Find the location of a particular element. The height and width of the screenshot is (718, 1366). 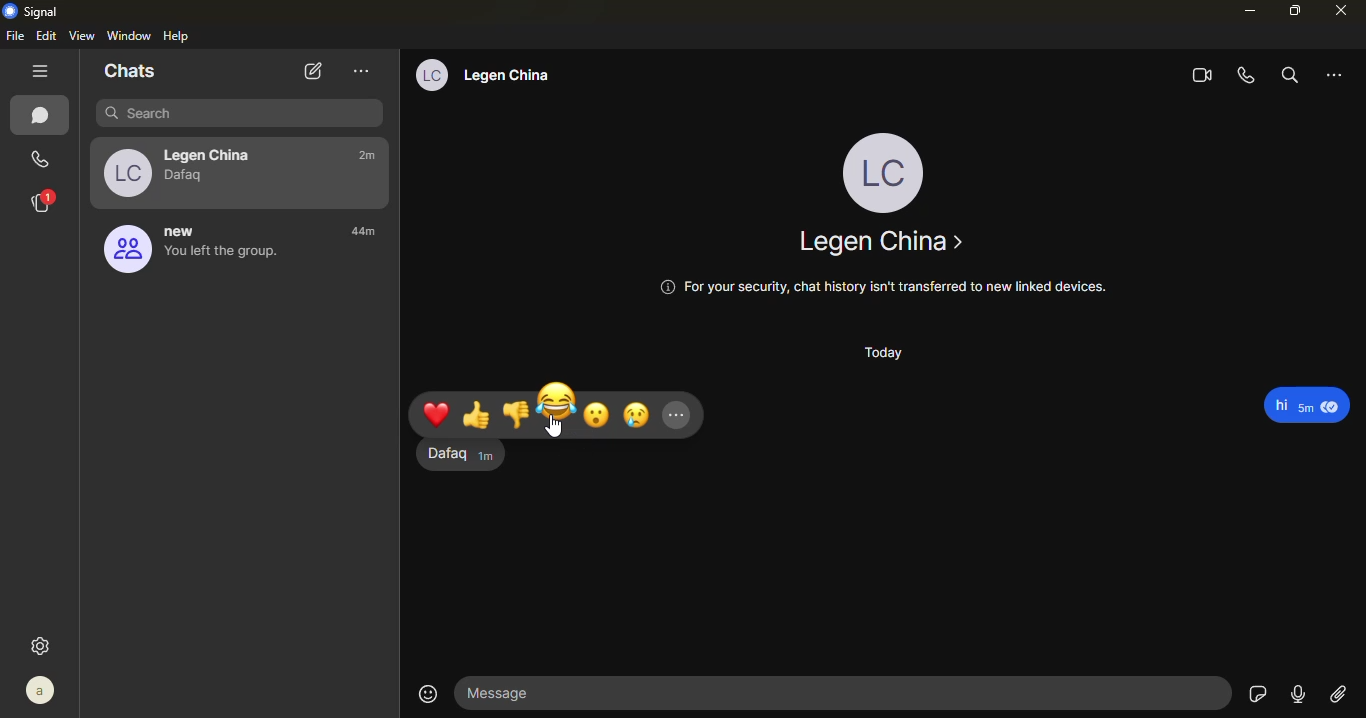

new chat is located at coordinates (310, 71).